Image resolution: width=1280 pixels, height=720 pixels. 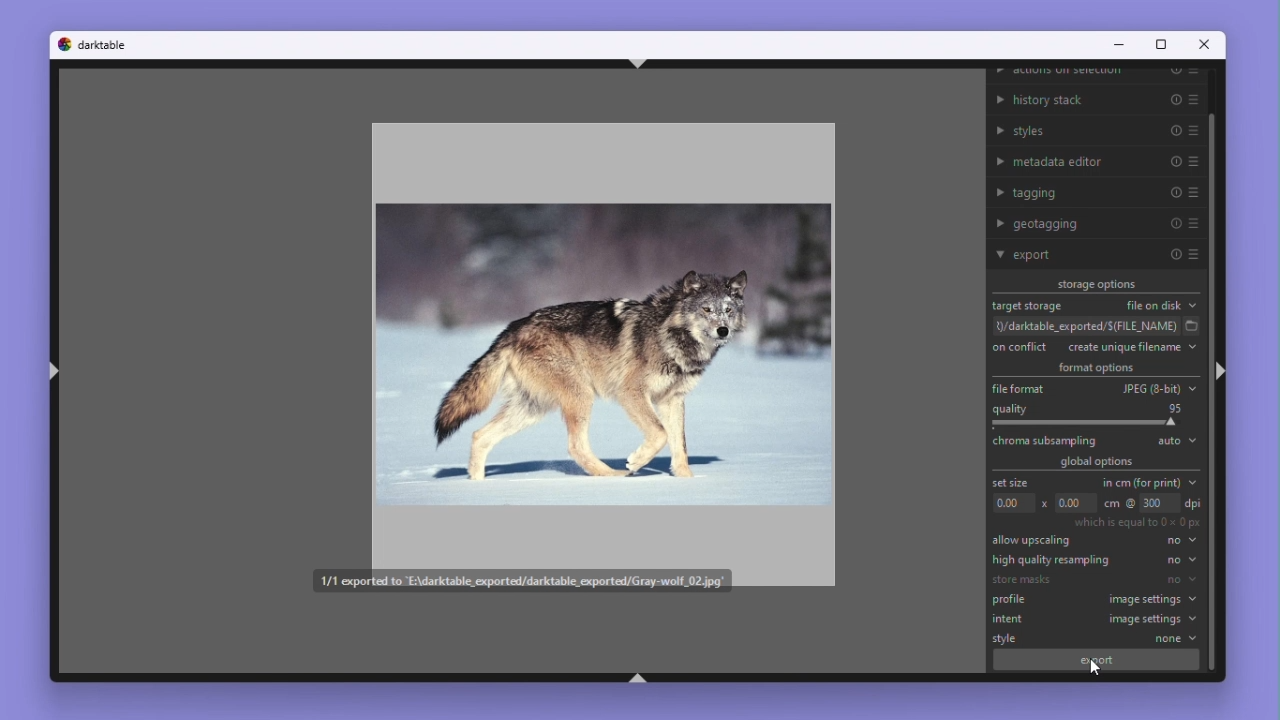 I want to click on Tagging, so click(x=1096, y=192).